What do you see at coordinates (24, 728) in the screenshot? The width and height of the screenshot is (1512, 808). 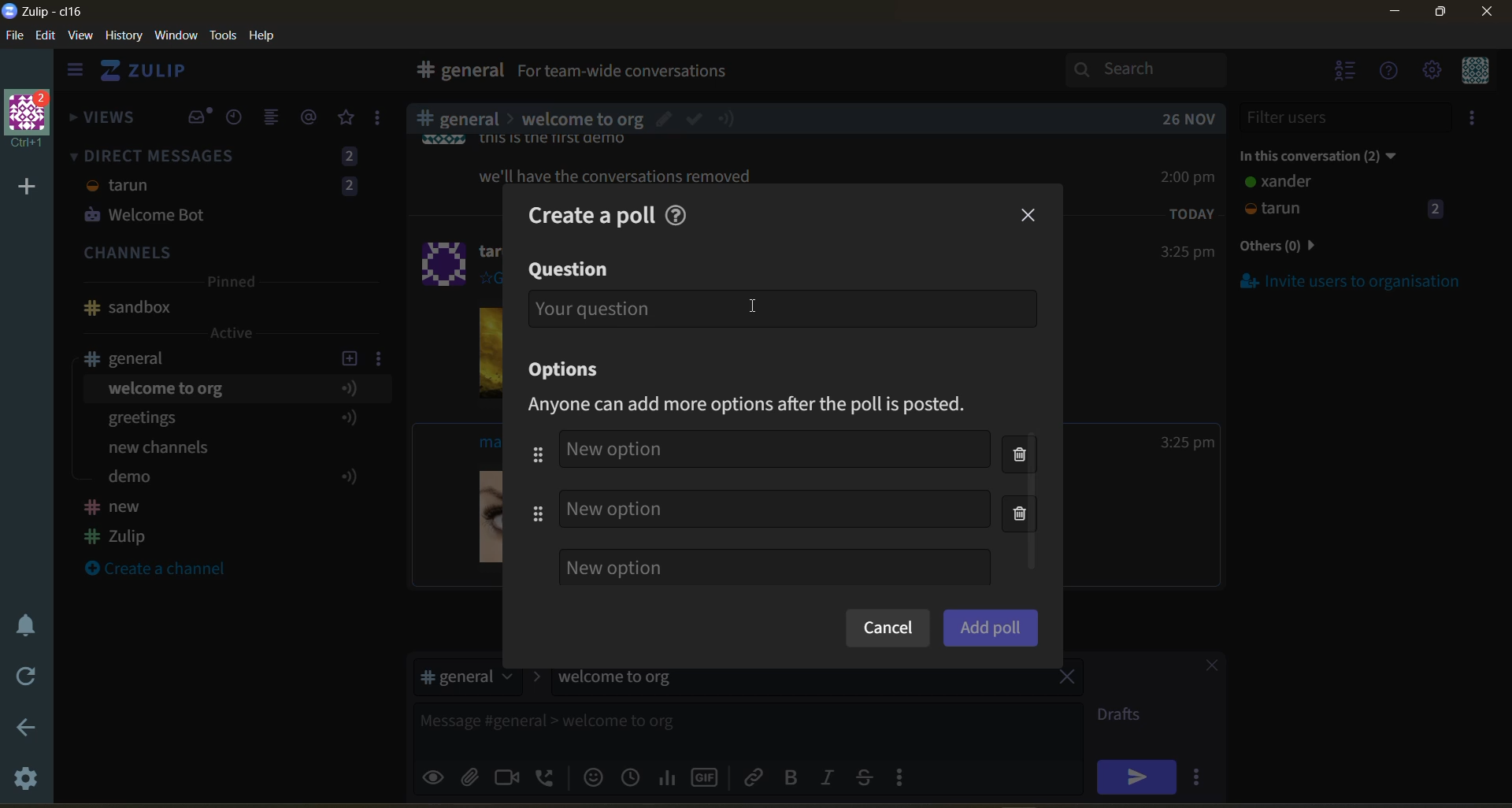 I see `go back` at bounding box center [24, 728].